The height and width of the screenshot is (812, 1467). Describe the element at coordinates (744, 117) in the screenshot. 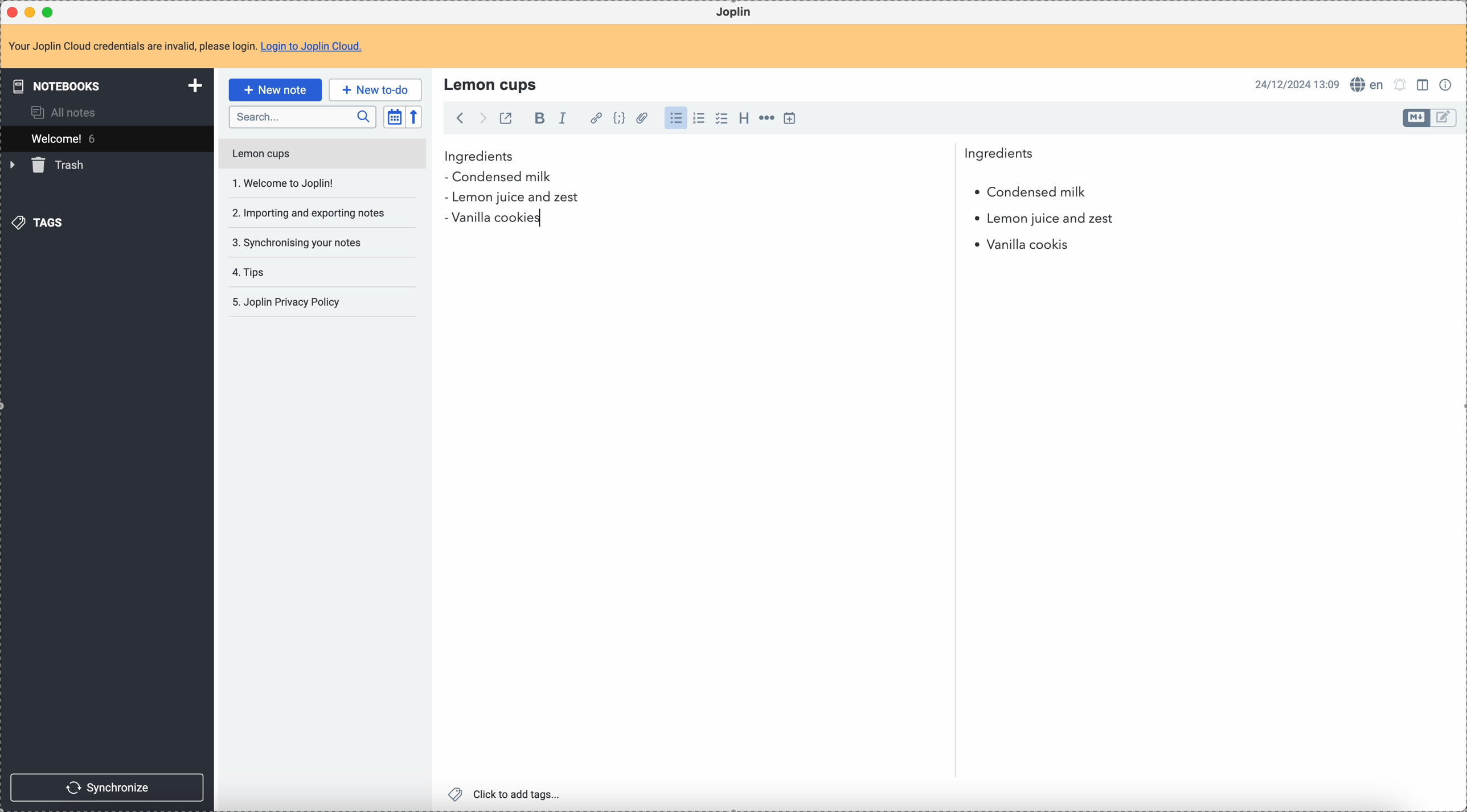

I see `heading` at that location.